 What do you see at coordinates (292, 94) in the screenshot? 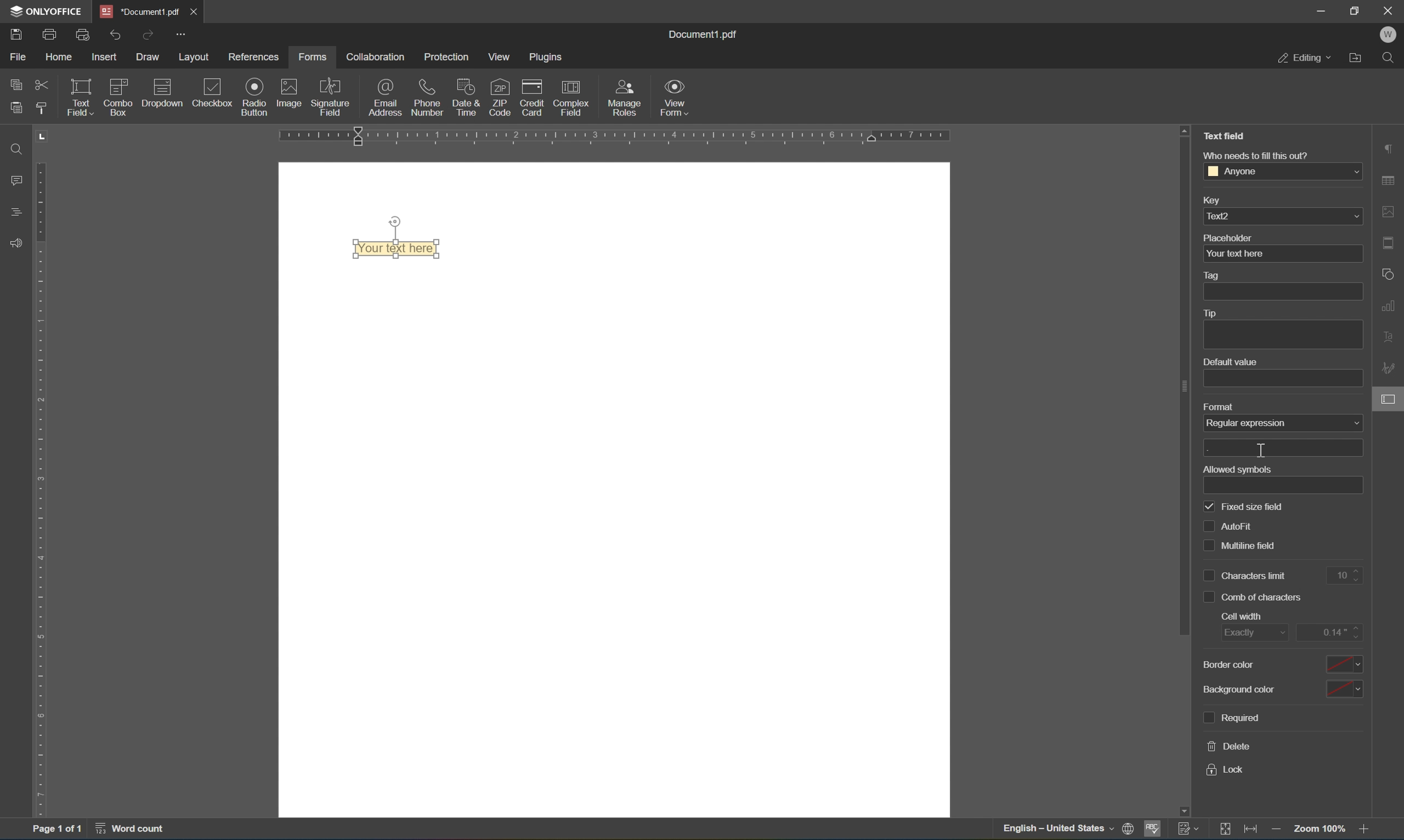
I see `image` at bounding box center [292, 94].